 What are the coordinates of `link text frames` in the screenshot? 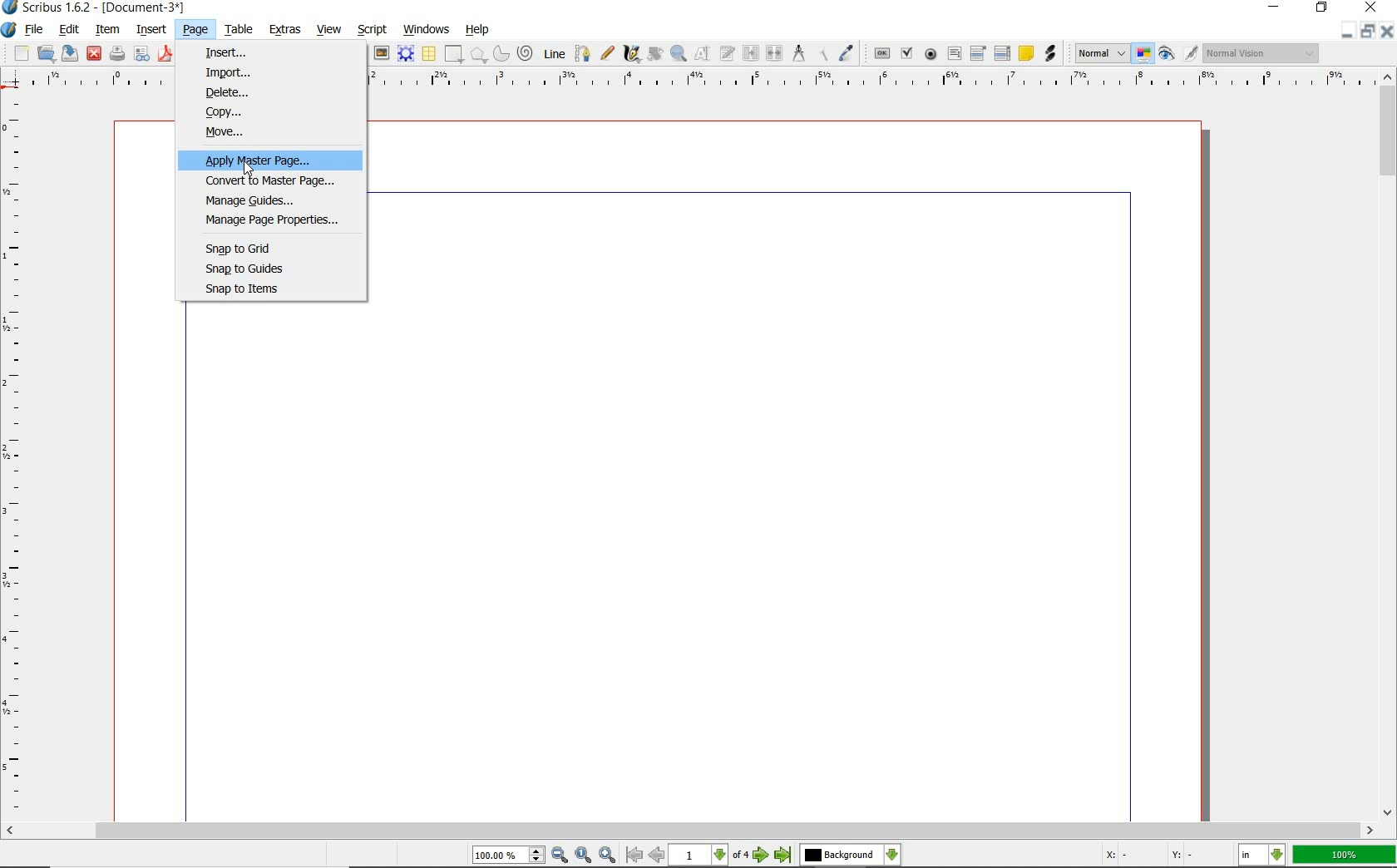 It's located at (753, 53).